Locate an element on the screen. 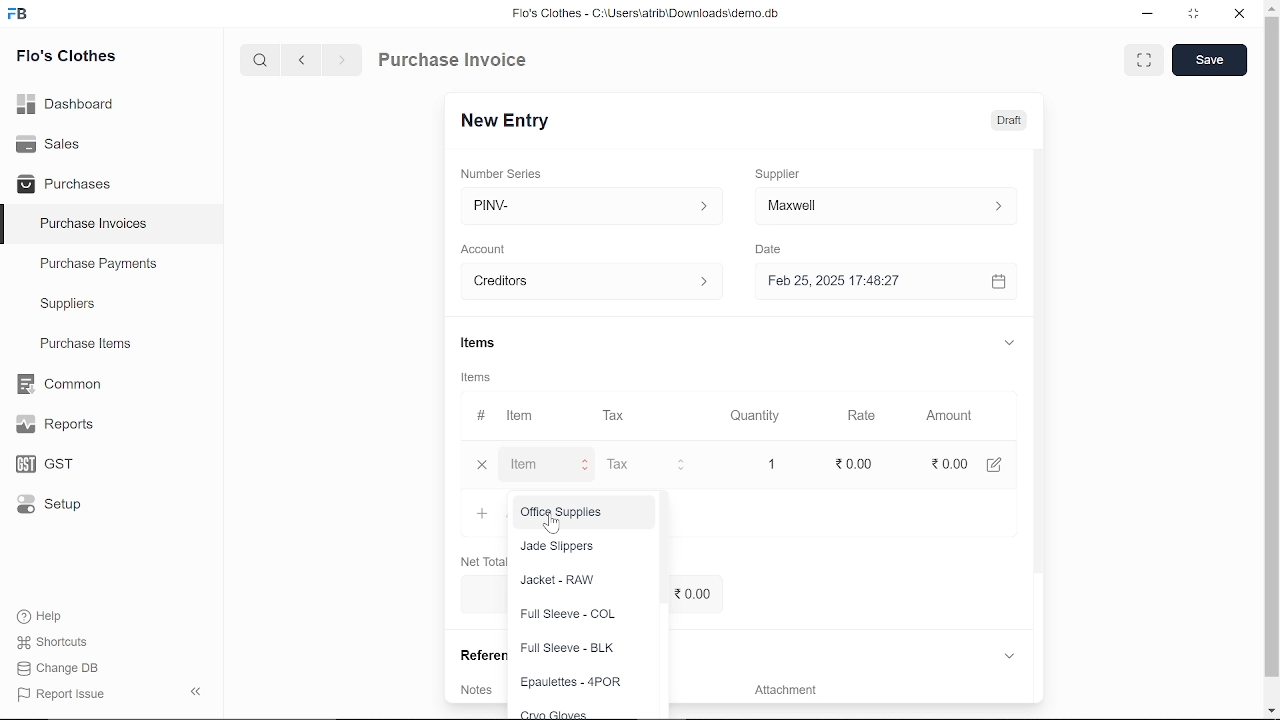 Image resolution: width=1280 pixels, height=720 pixels. 1 is located at coordinates (782, 464).